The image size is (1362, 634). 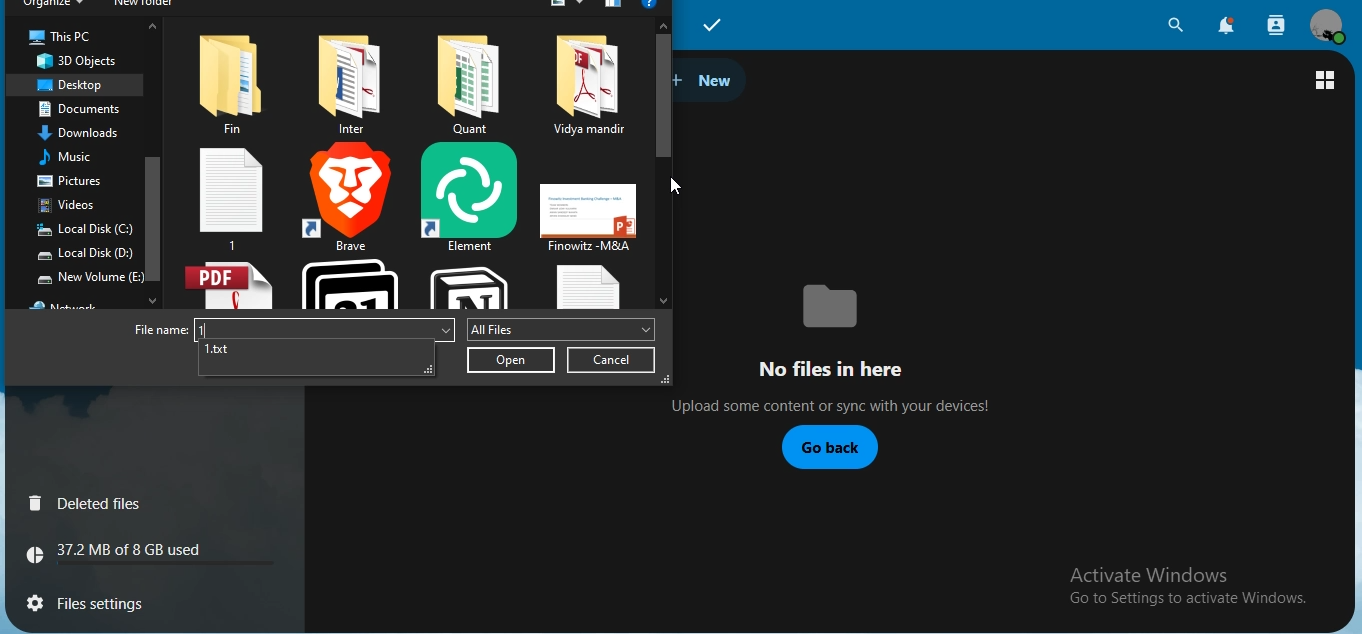 I want to click on ile, so click(x=353, y=84).